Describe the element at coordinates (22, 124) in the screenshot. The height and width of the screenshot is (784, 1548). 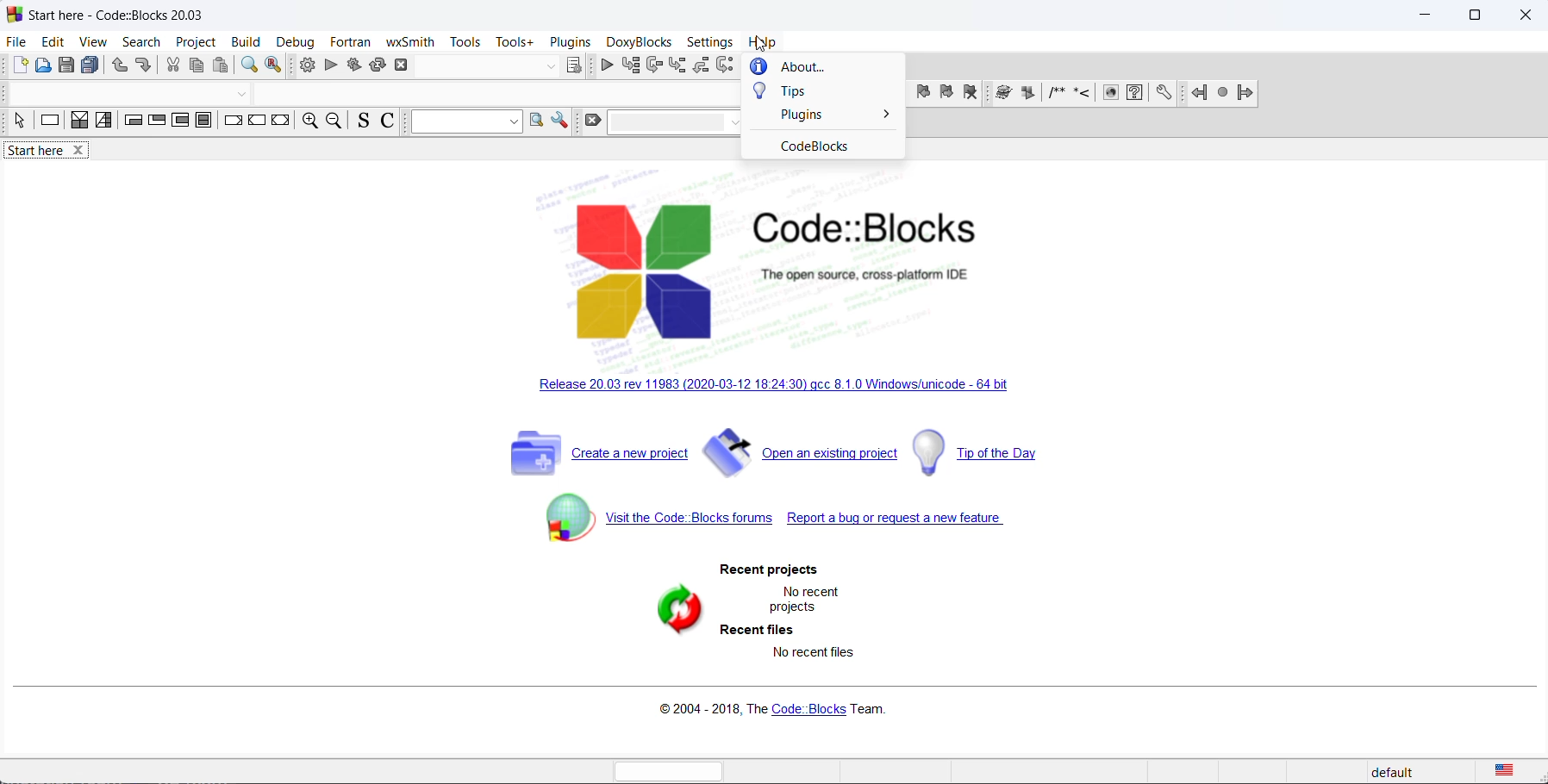
I see `select` at that location.